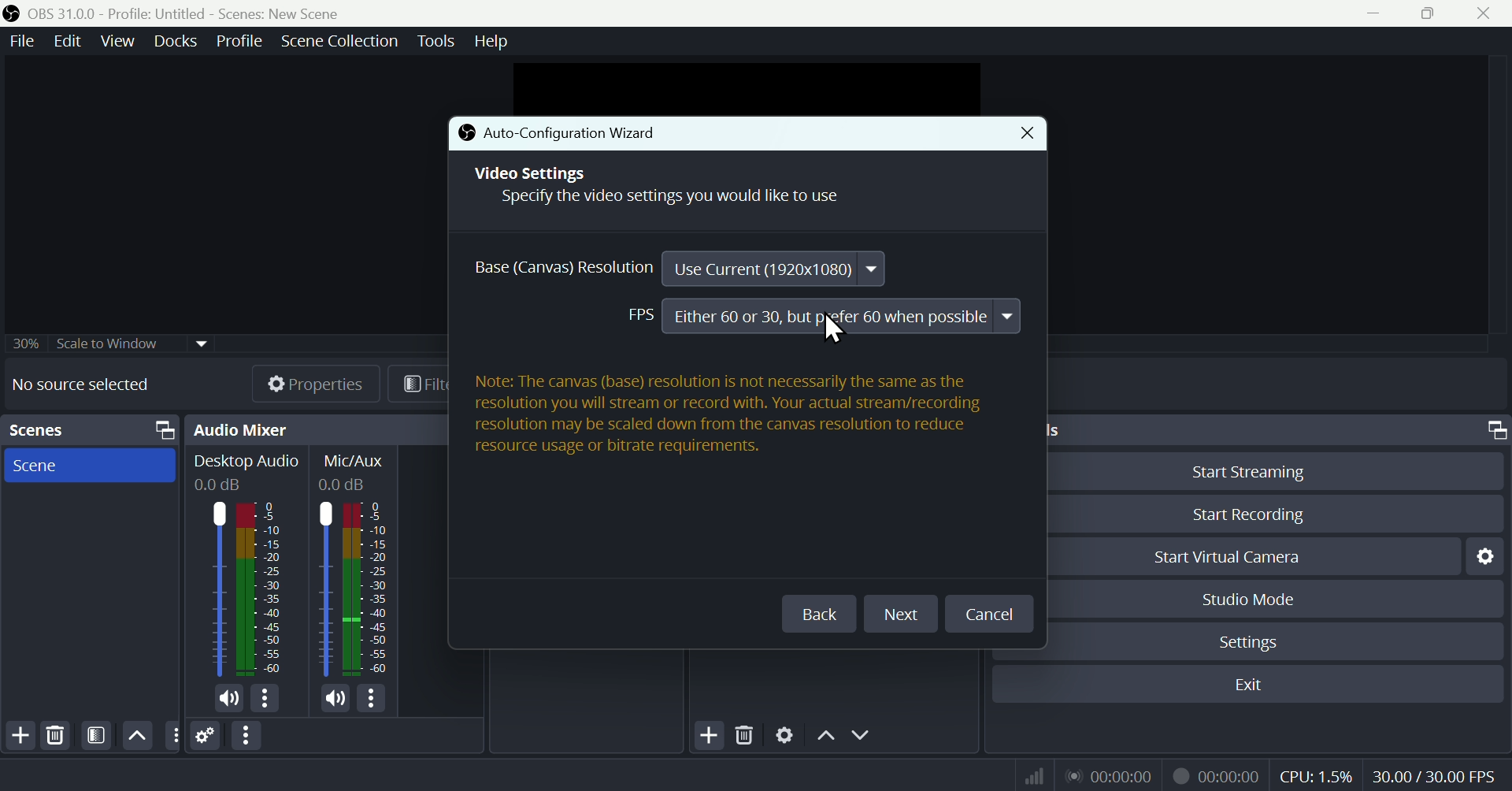 This screenshot has height=791, width=1512. What do you see at coordinates (1215, 774) in the screenshot?
I see `Video recorder` at bounding box center [1215, 774].